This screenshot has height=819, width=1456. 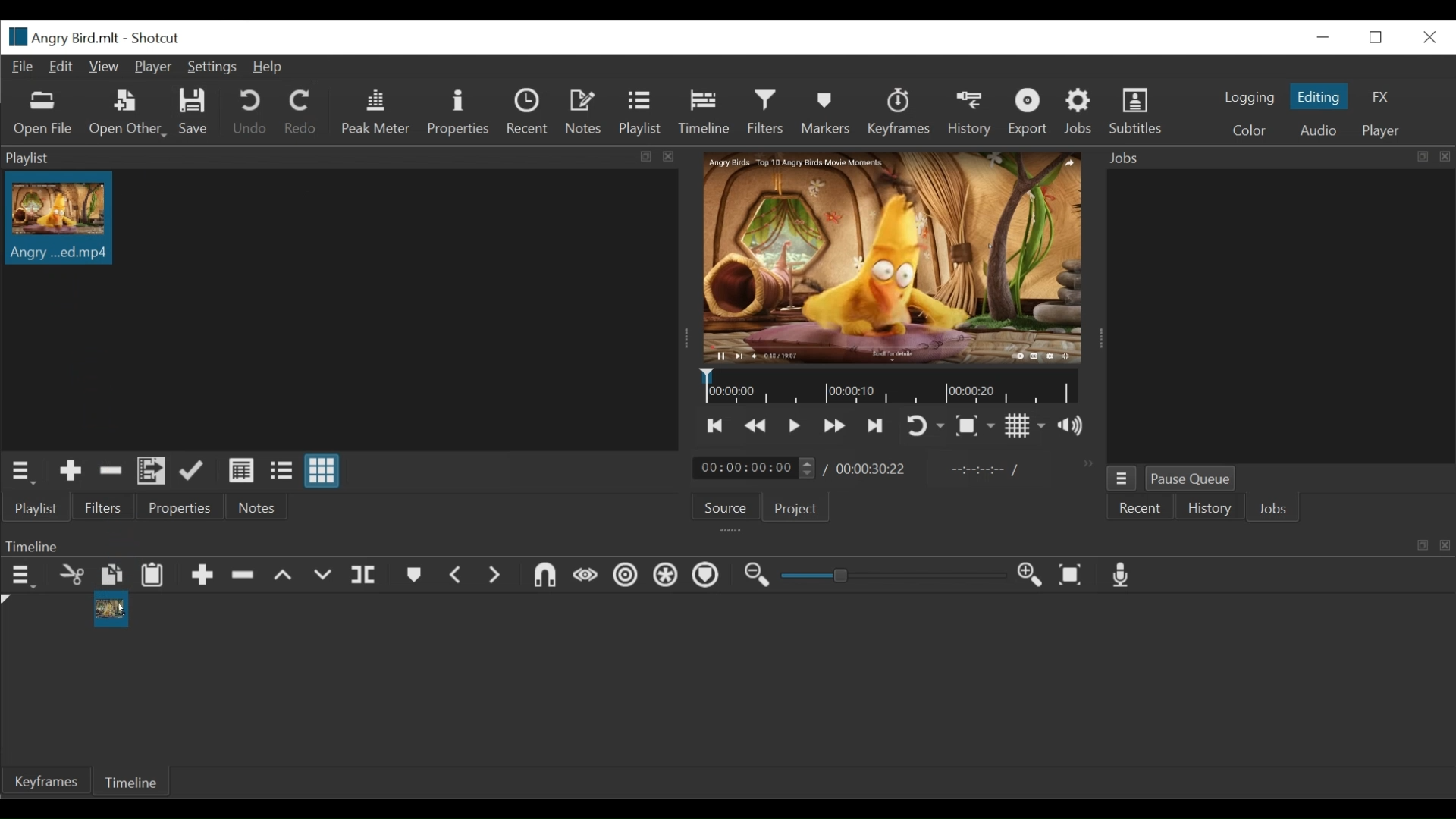 What do you see at coordinates (1026, 425) in the screenshot?
I see `Show display grid on player` at bounding box center [1026, 425].